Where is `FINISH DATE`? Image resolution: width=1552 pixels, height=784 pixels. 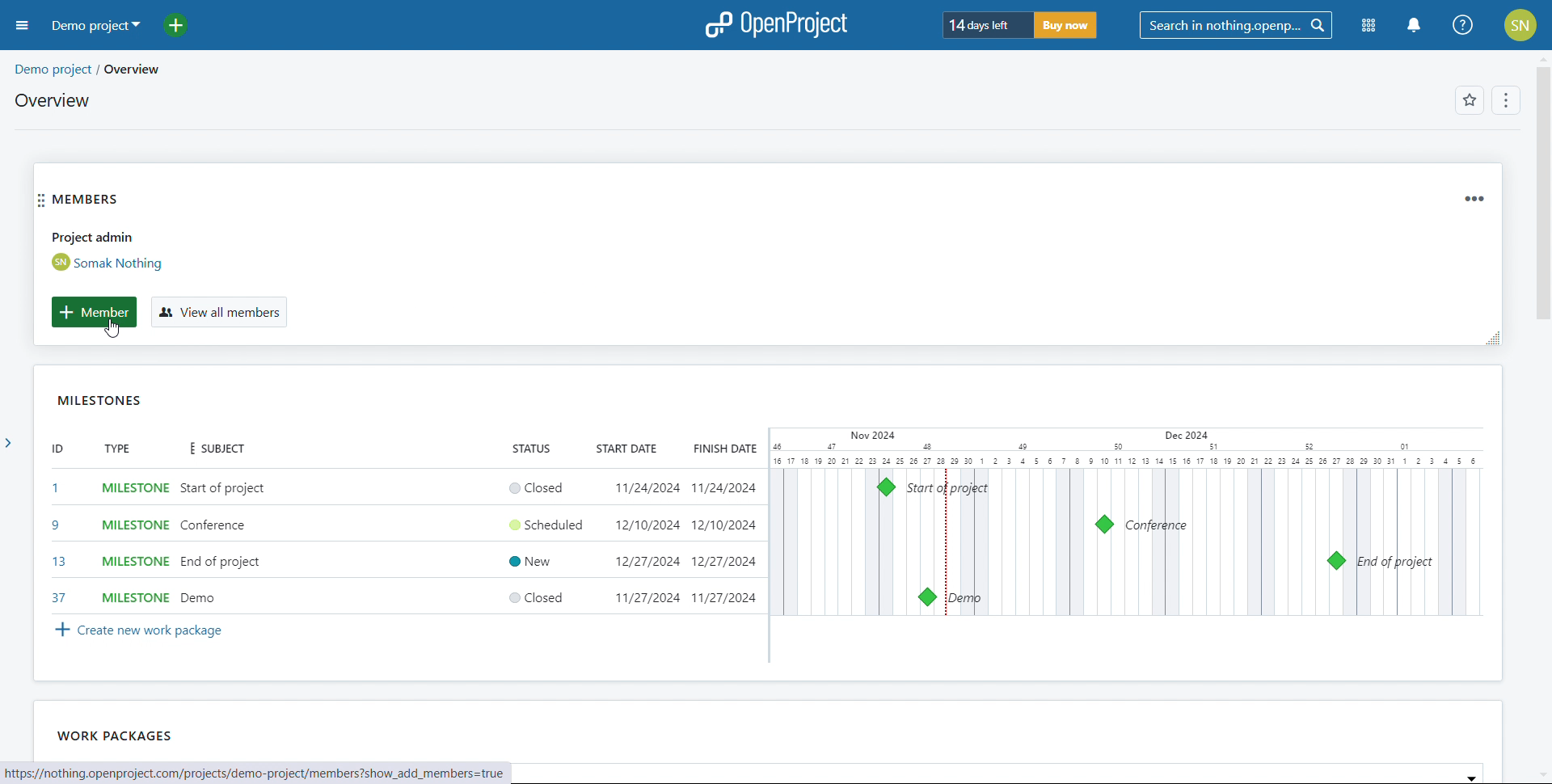
FINISH DATE is located at coordinates (723, 447).